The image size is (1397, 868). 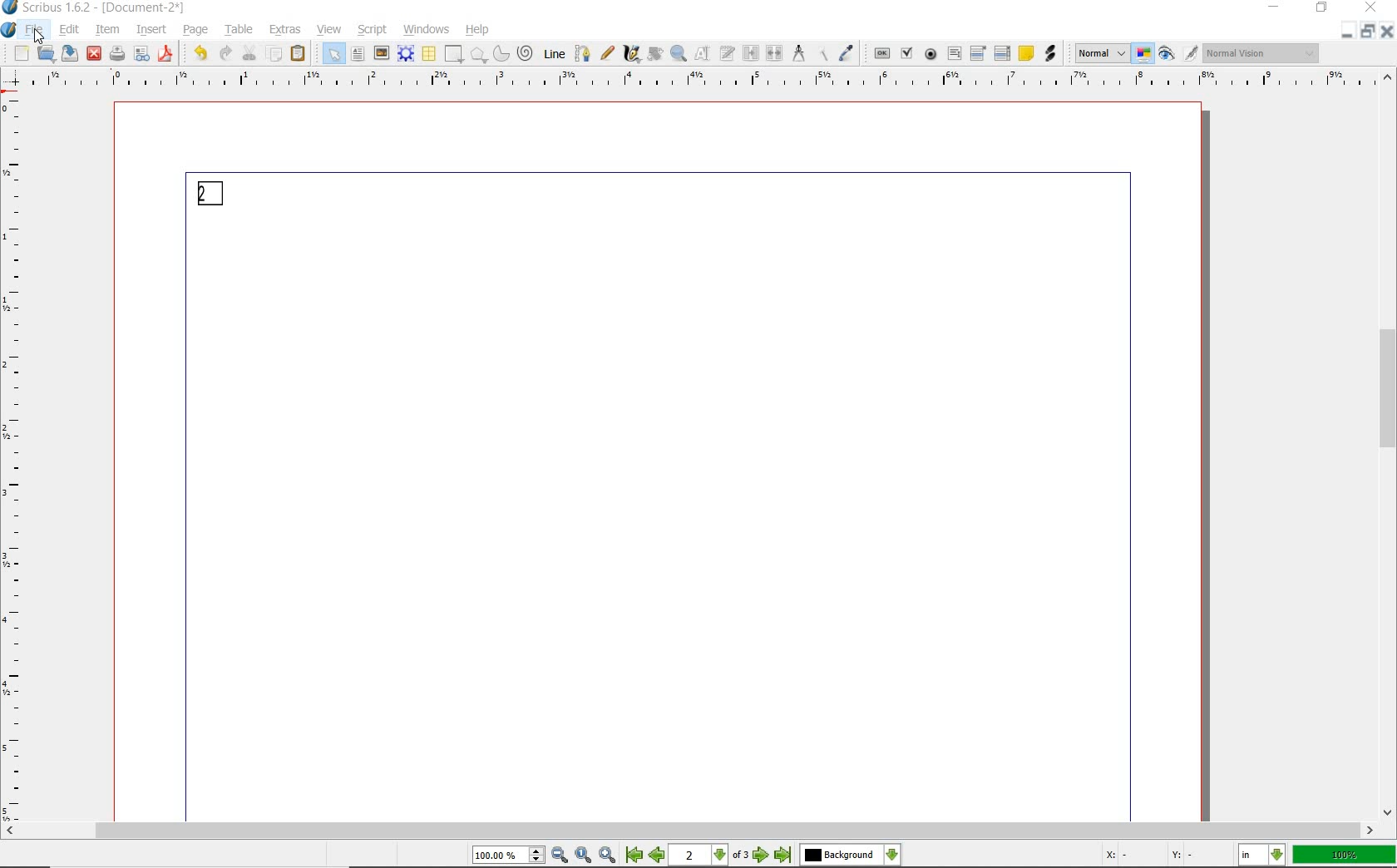 I want to click on Zoom In, so click(x=609, y=856).